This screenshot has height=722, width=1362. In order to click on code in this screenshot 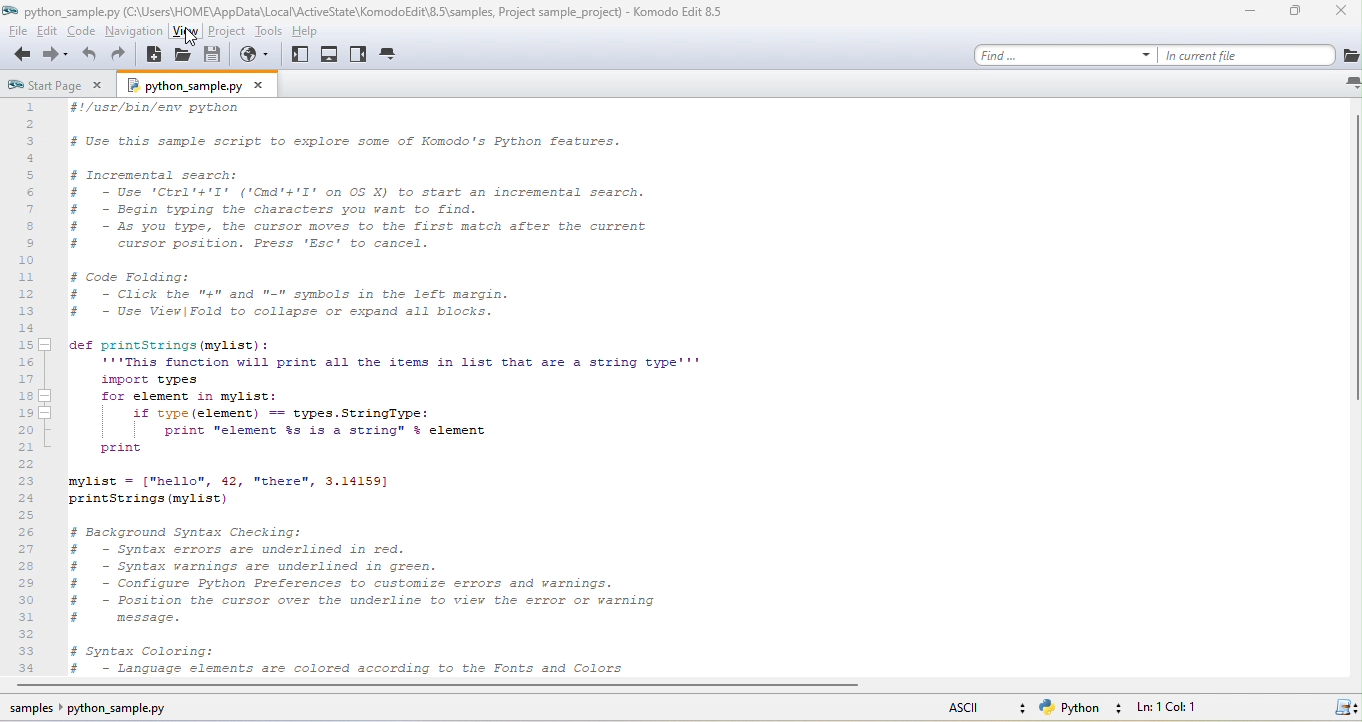, I will do `click(79, 34)`.